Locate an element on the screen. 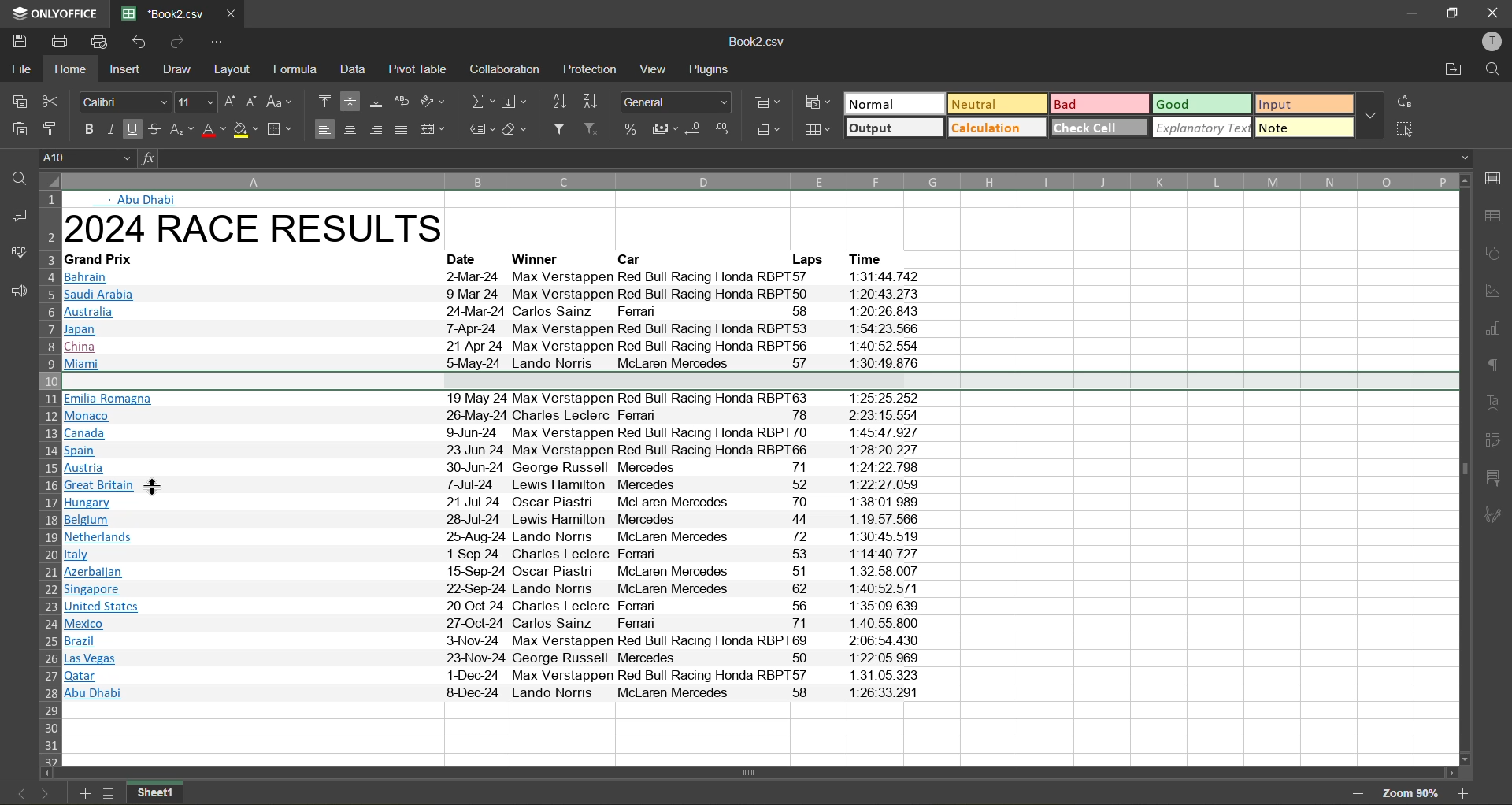 The image size is (1512, 805). underline is located at coordinates (133, 129).